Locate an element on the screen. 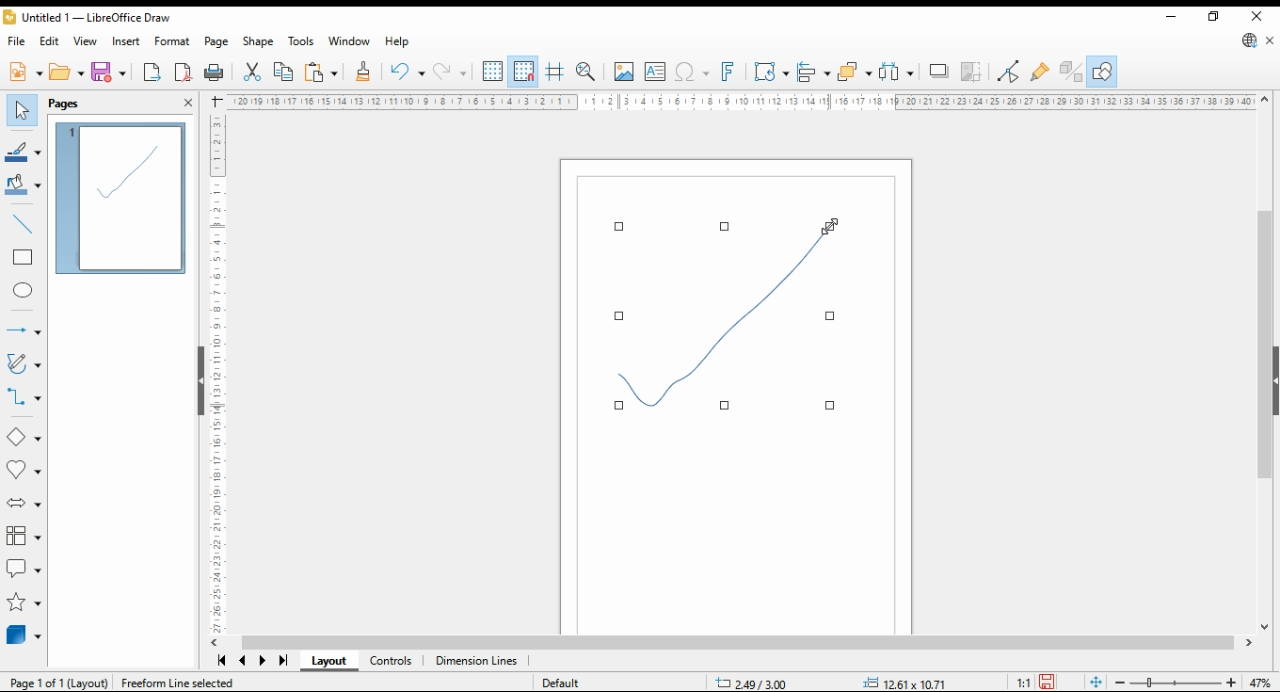 The width and height of the screenshot is (1280, 692). page 1 is located at coordinates (122, 198).